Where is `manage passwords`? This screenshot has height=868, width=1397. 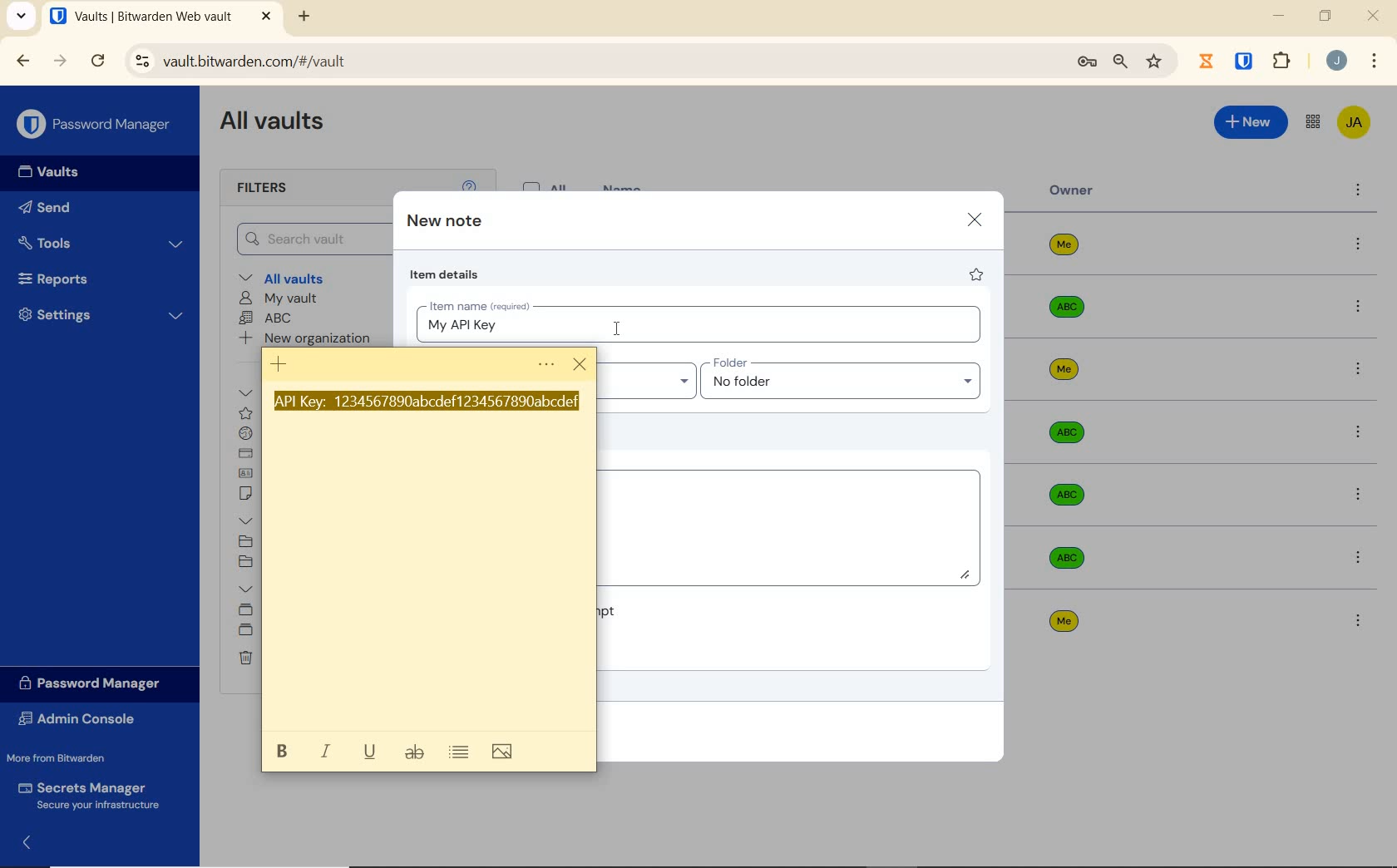 manage passwords is located at coordinates (1087, 63).